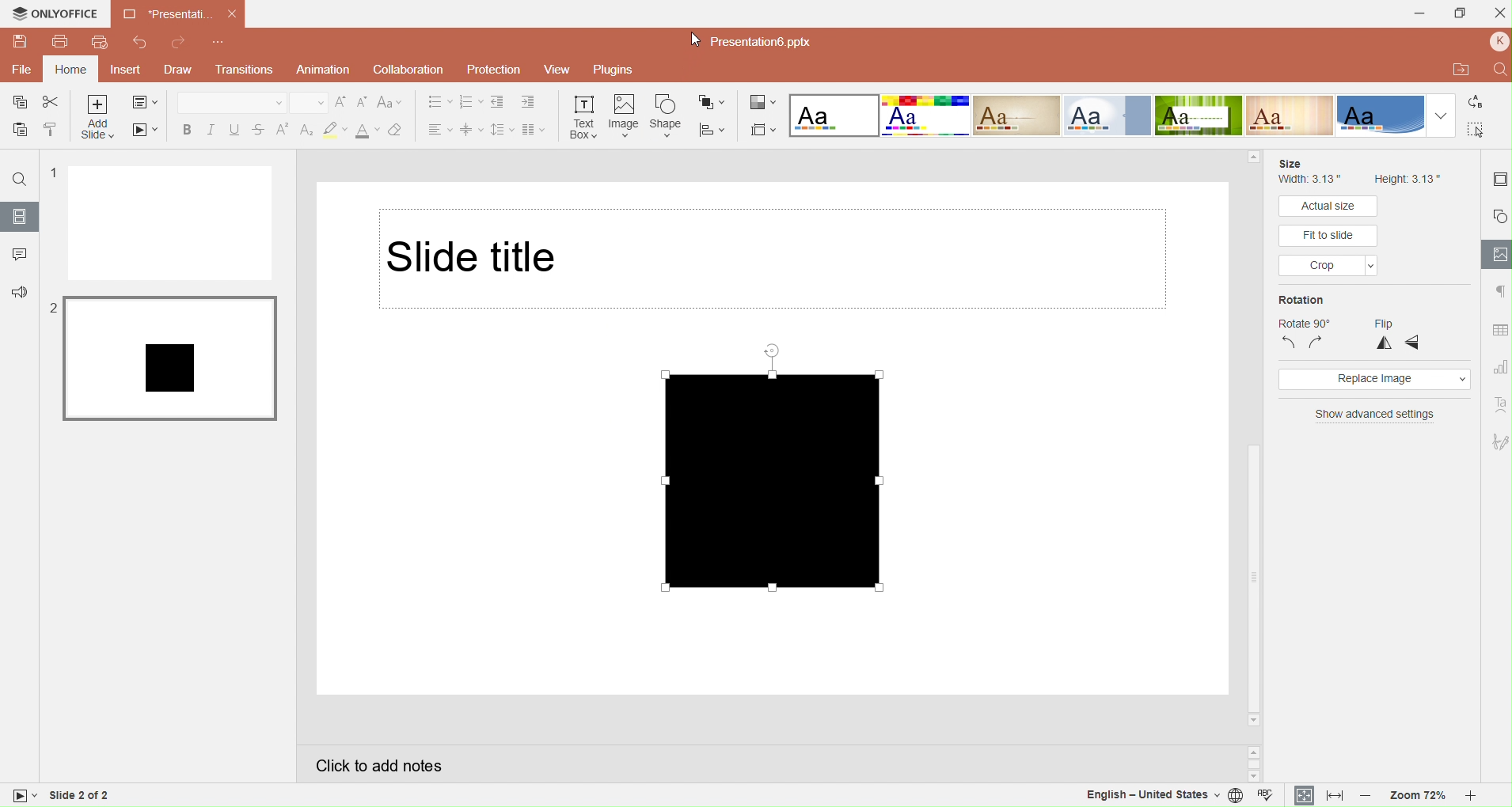 The height and width of the screenshot is (807, 1512). What do you see at coordinates (1461, 70) in the screenshot?
I see `Open file location` at bounding box center [1461, 70].